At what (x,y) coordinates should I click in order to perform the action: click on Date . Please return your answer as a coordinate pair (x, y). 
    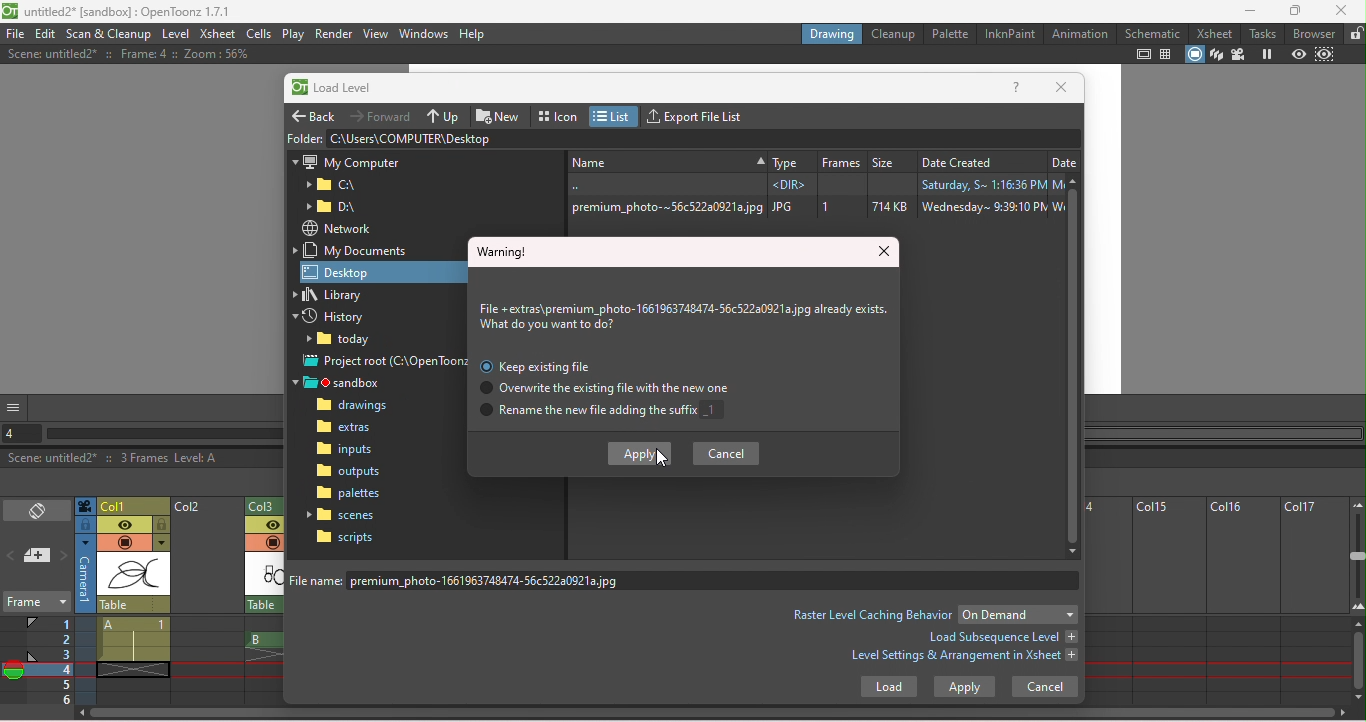
    Looking at the image, I should click on (1064, 159).